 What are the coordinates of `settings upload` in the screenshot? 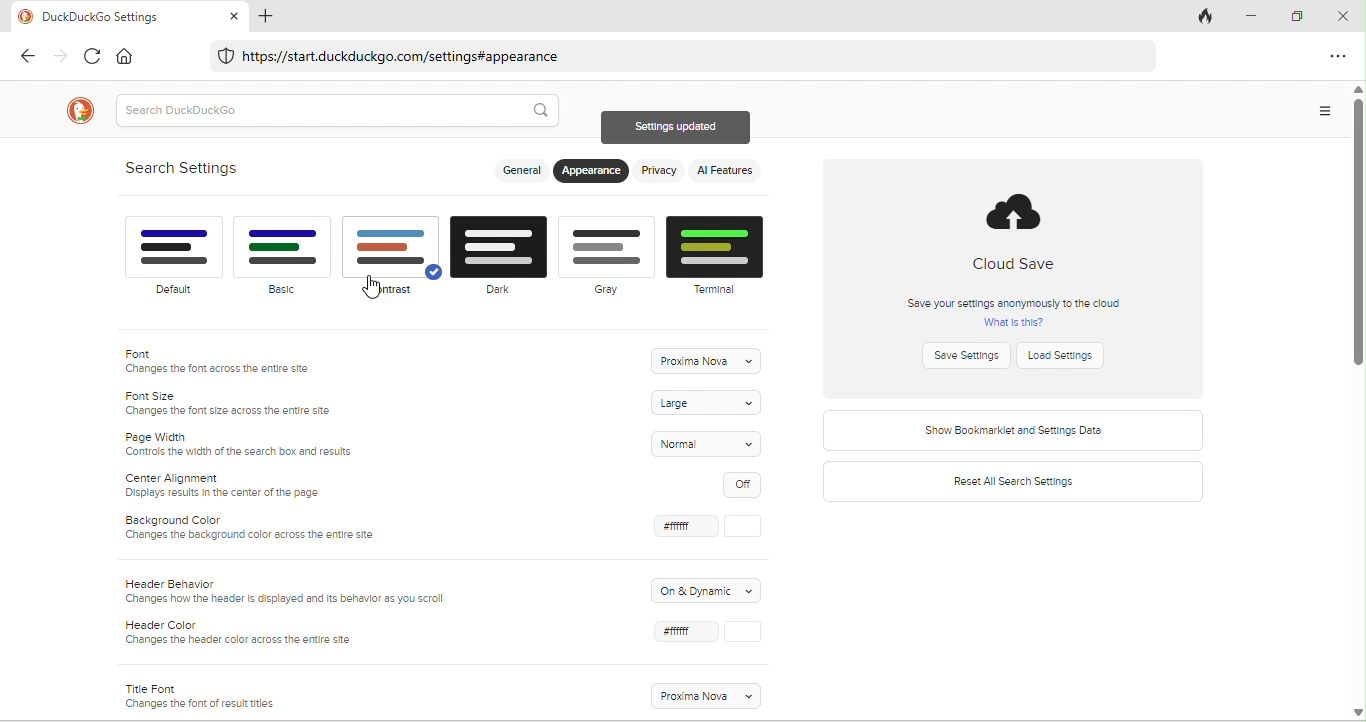 It's located at (678, 129).